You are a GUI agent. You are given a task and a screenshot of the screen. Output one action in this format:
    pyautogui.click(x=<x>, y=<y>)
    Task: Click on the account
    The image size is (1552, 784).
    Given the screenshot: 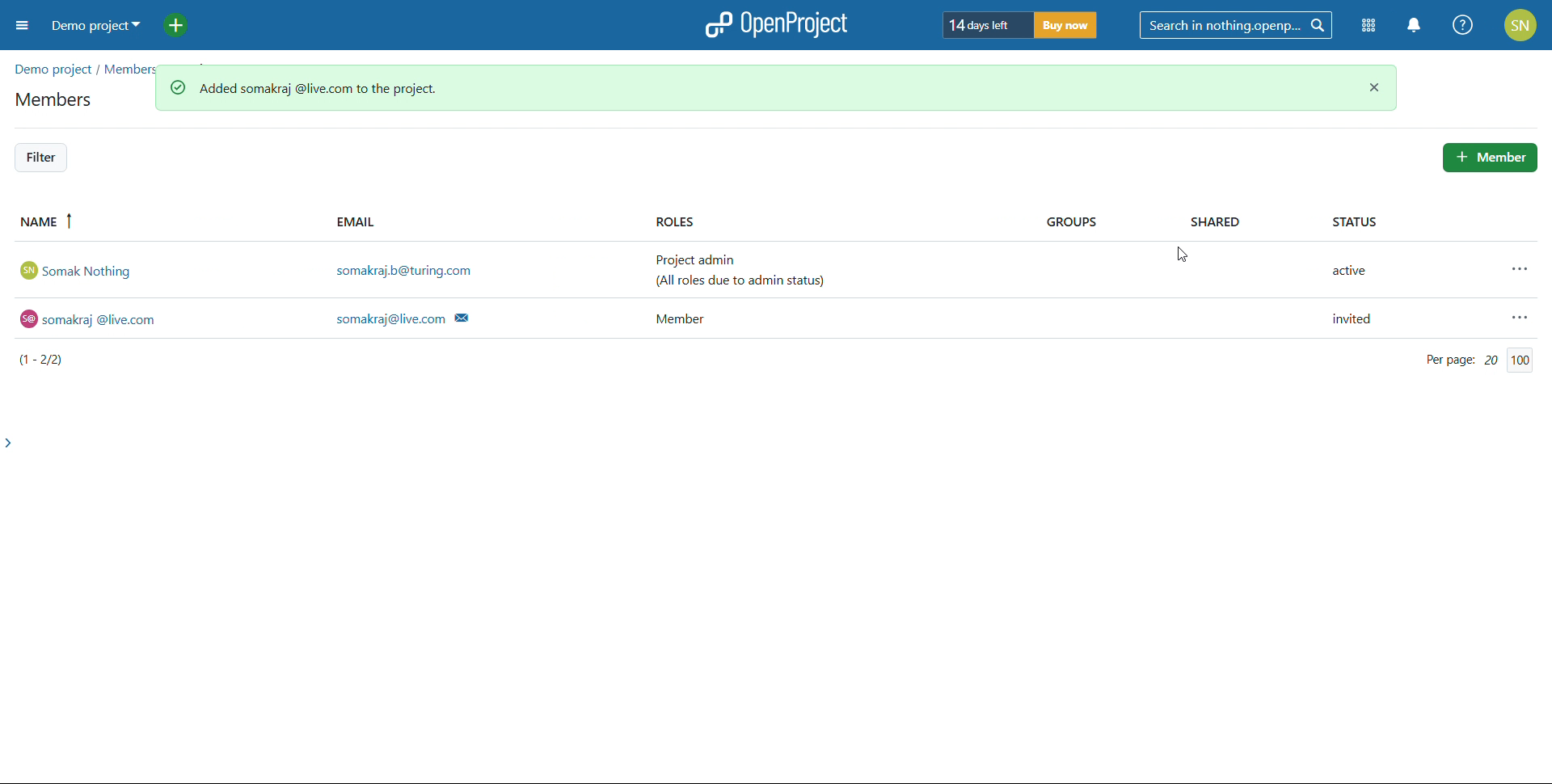 What is the action you would take?
    pyautogui.click(x=1521, y=24)
    